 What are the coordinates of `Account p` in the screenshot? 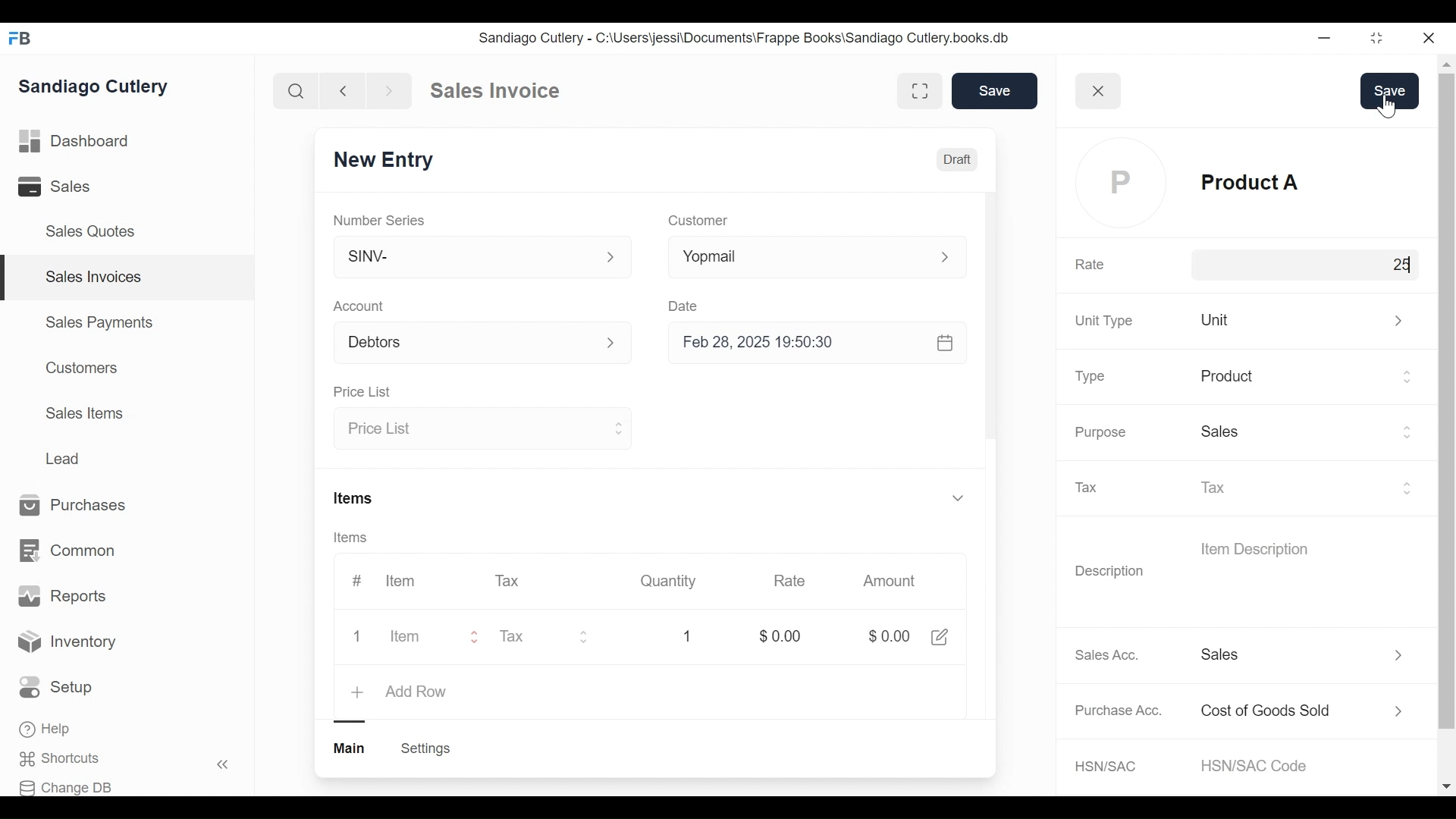 It's located at (484, 342).